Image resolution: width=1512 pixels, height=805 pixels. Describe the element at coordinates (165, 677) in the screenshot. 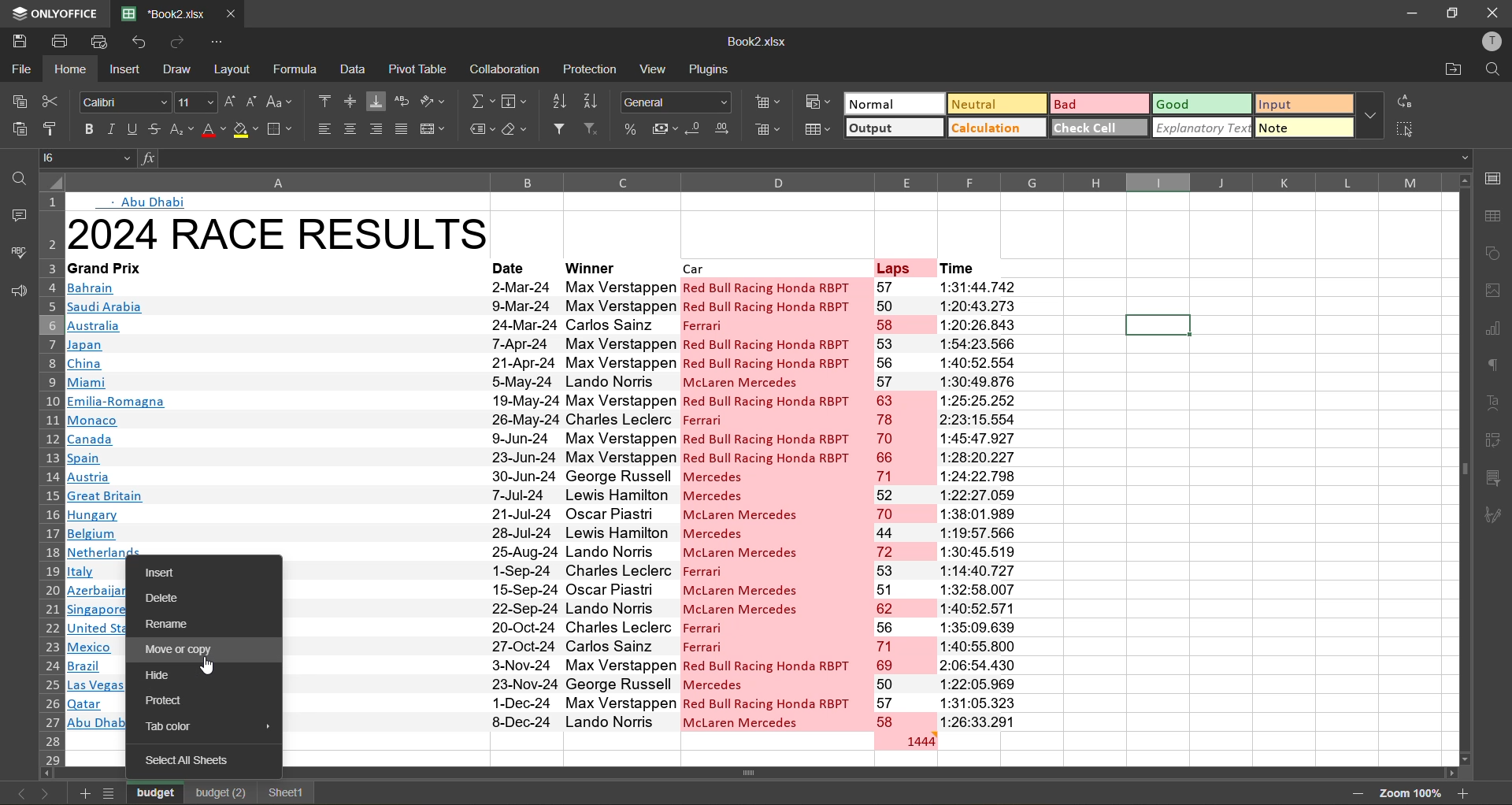

I see `hide` at that location.